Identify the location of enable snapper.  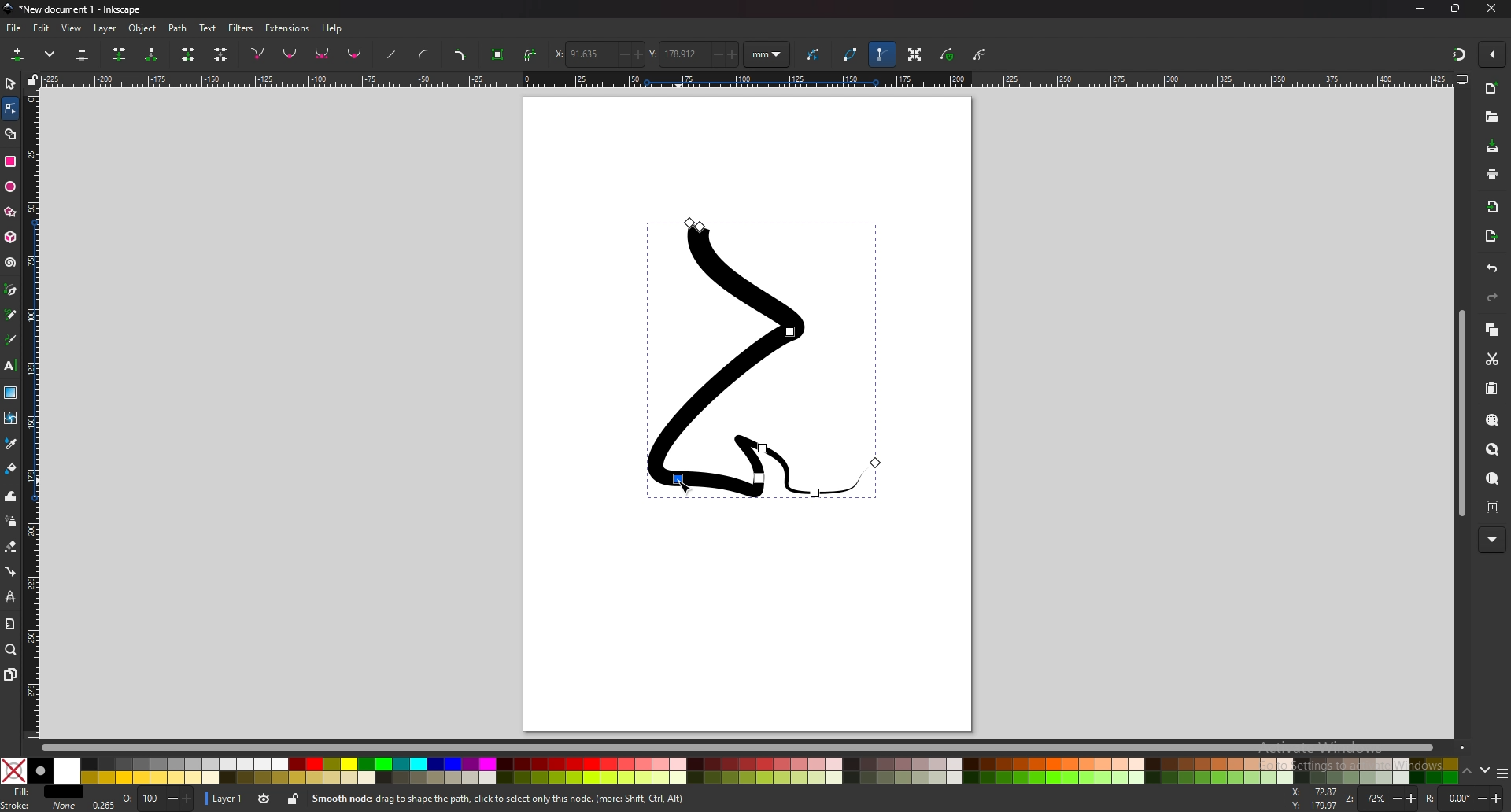
(1492, 55).